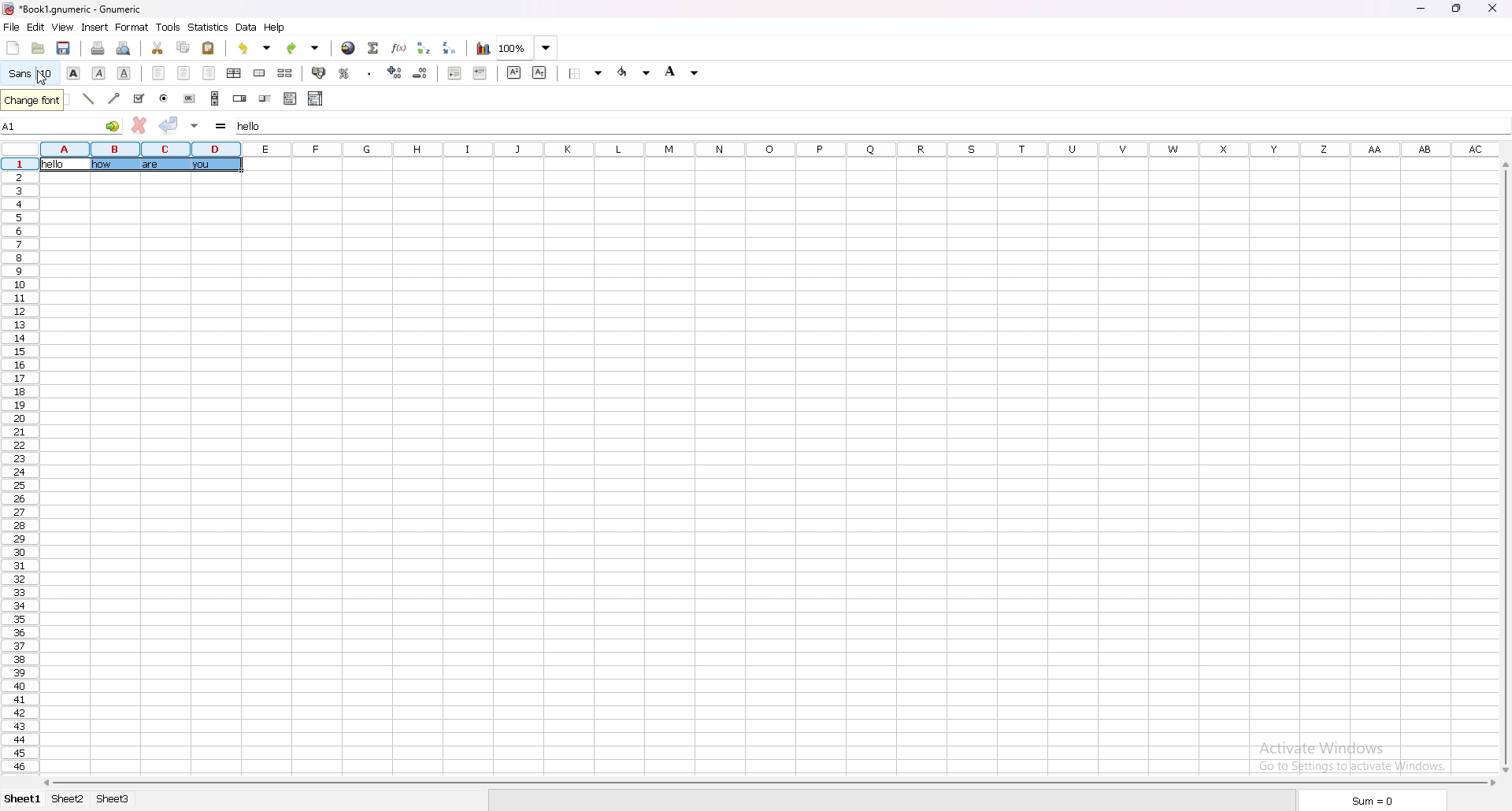 This screenshot has height=811, width=1512. I want to click on accounting, so click(321, 73).